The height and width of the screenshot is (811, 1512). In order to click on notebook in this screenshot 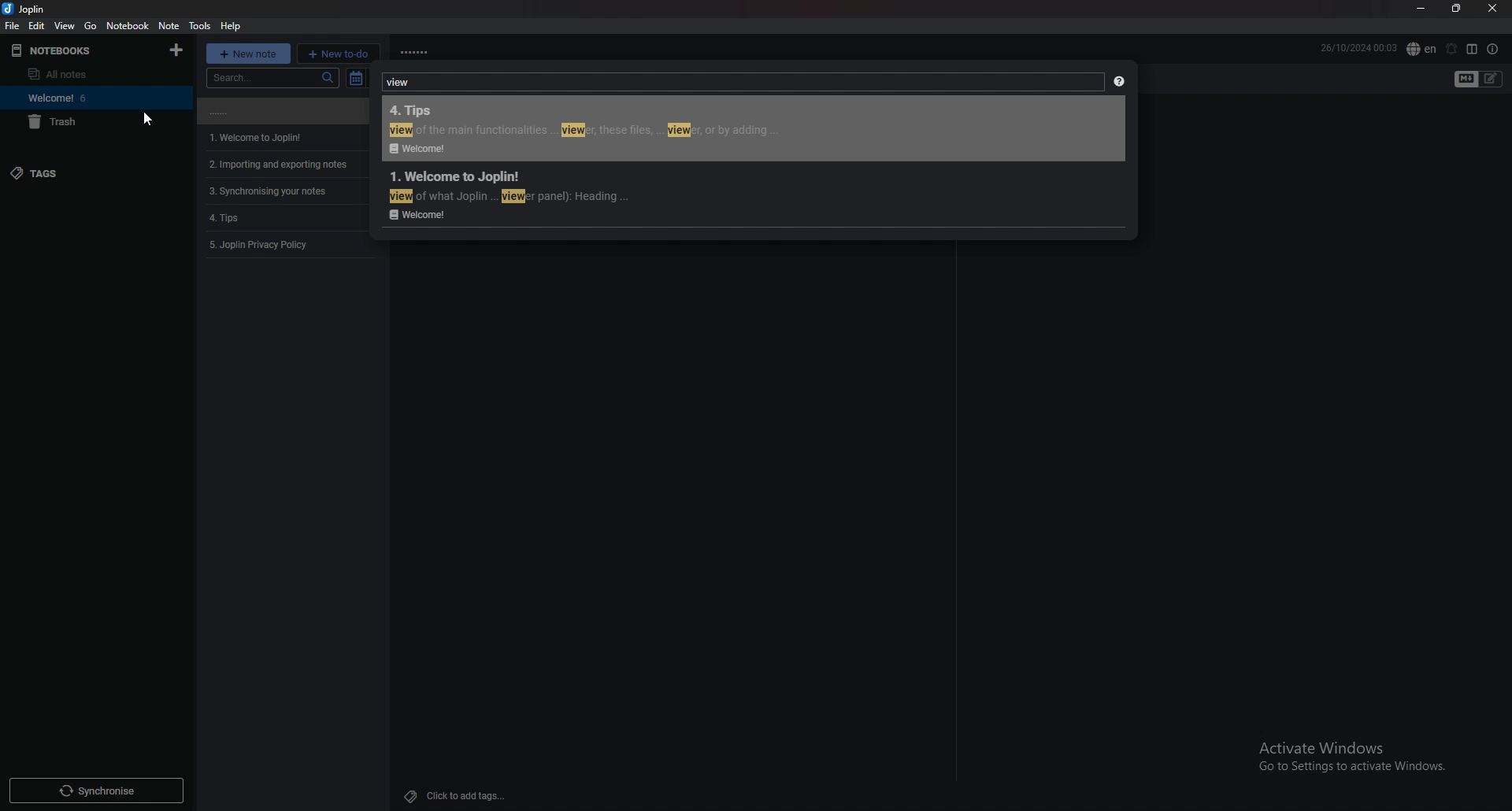, I will do `click(128, 25)`.